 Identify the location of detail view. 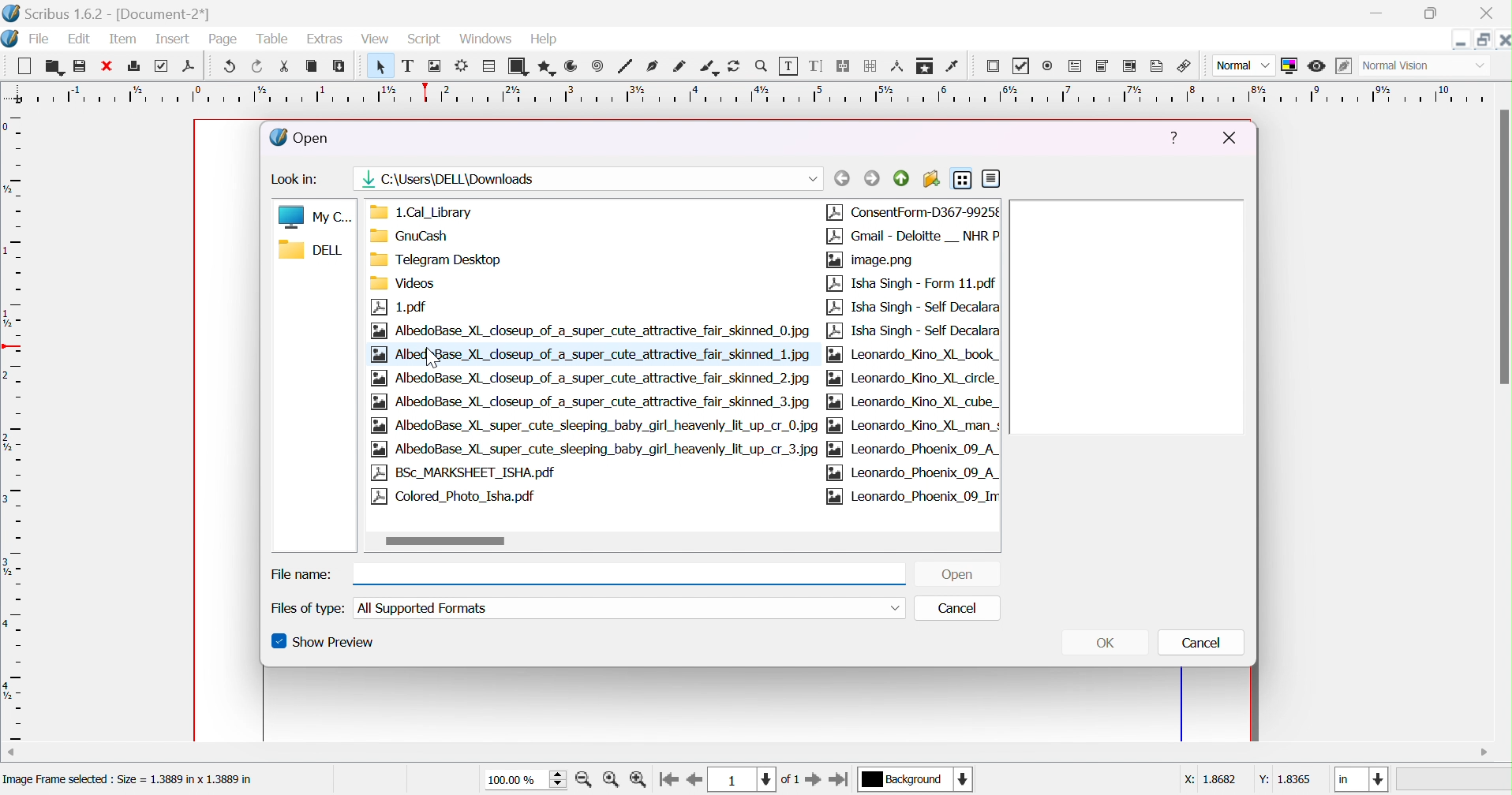
(994, 180).